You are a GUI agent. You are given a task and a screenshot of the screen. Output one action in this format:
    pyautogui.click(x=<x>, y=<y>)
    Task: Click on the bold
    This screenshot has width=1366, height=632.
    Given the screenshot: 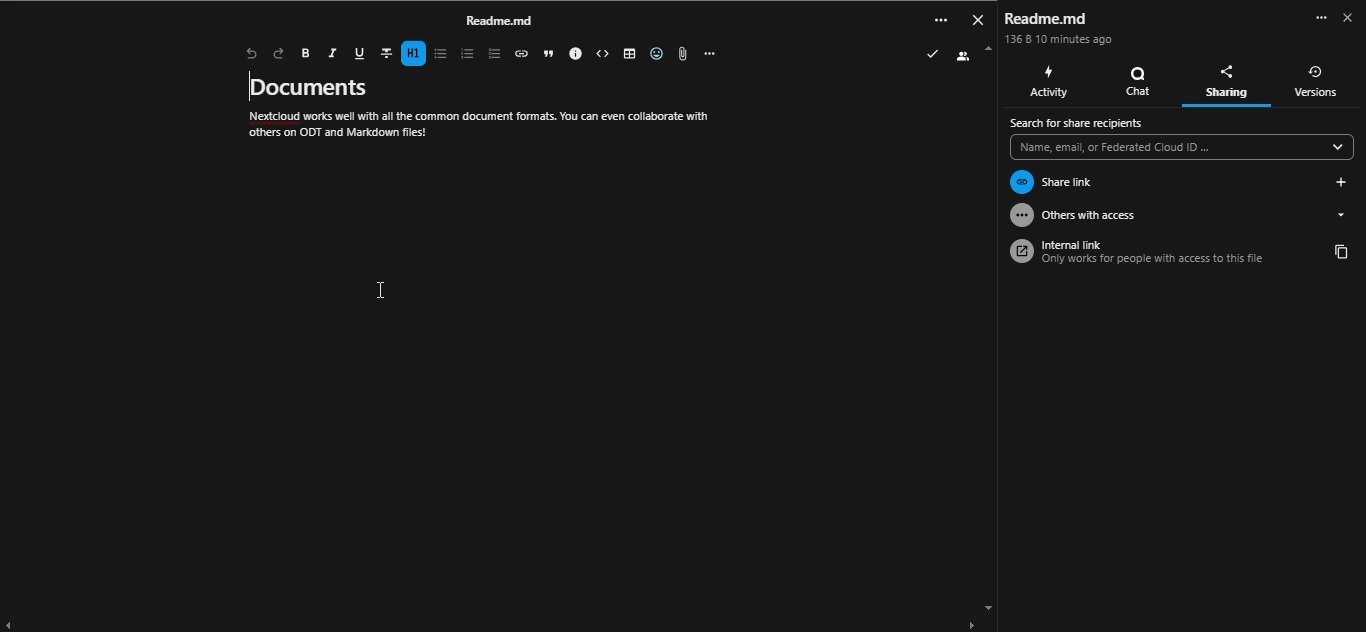 What is the action you would take?
    pyautogui.click(x=305, y=53)
    